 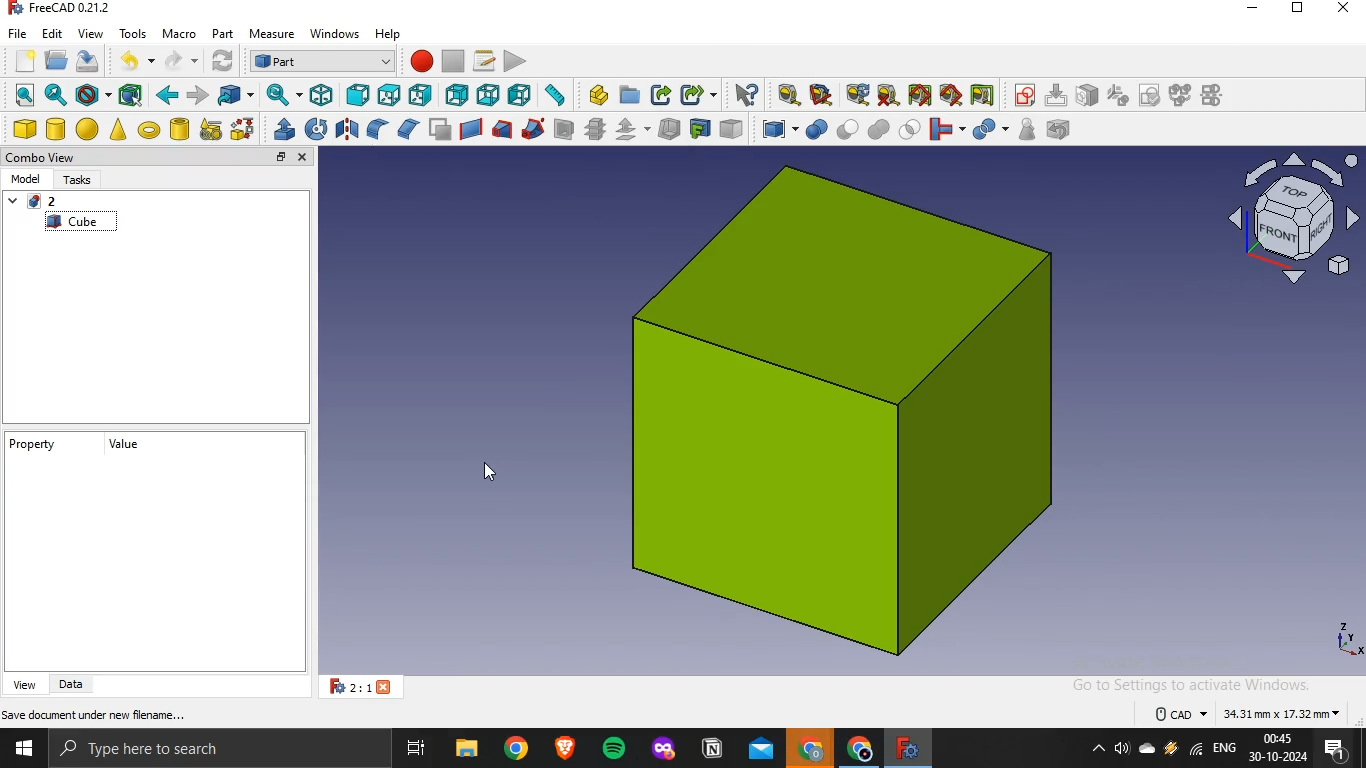 I want to click on notion, so click(x=713, y=748).